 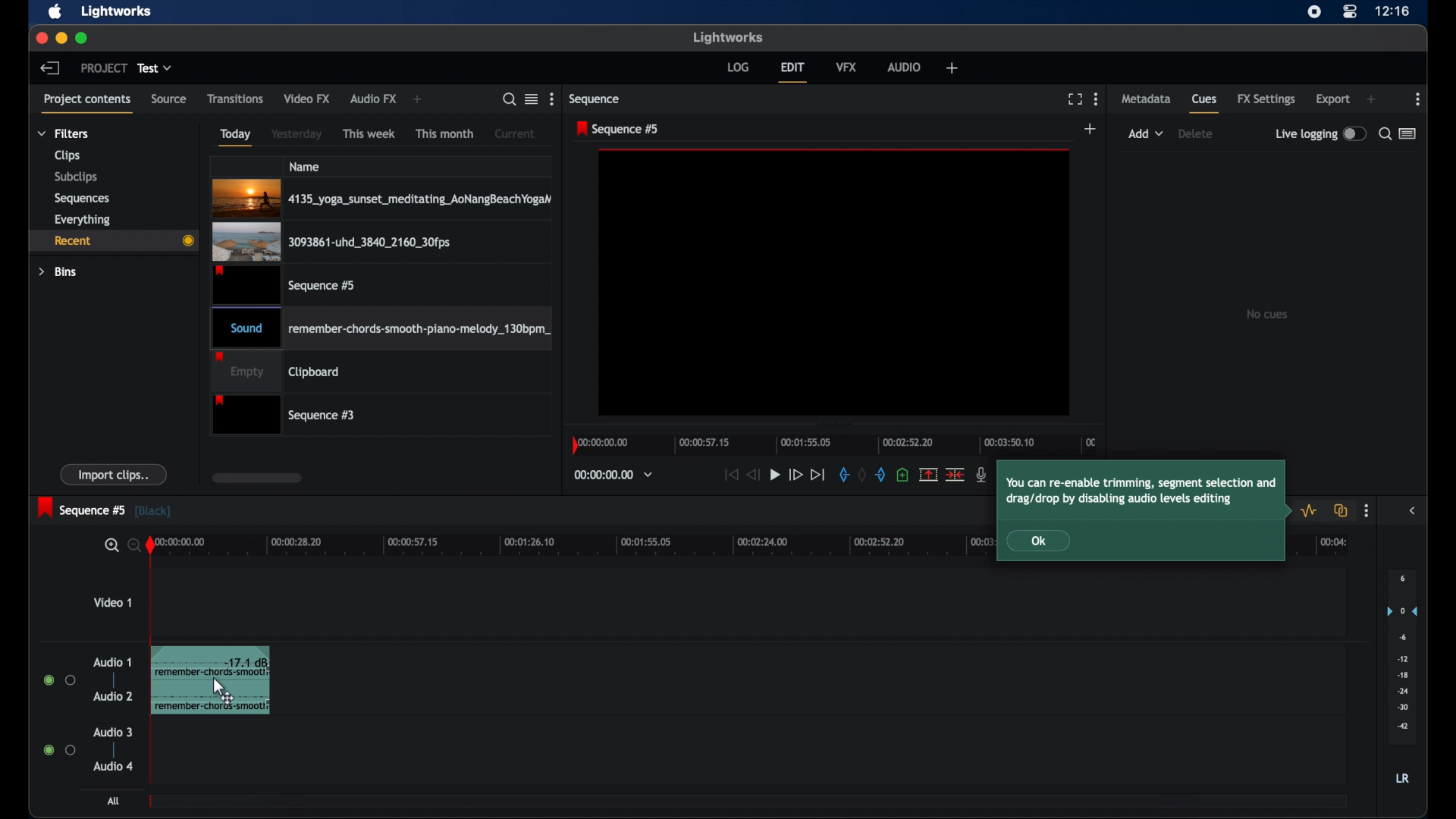 What do you see at coordinates (1311, 510) in the screenshot?
I see `toggle audio levels editing` at bounding box center [1311, 510].